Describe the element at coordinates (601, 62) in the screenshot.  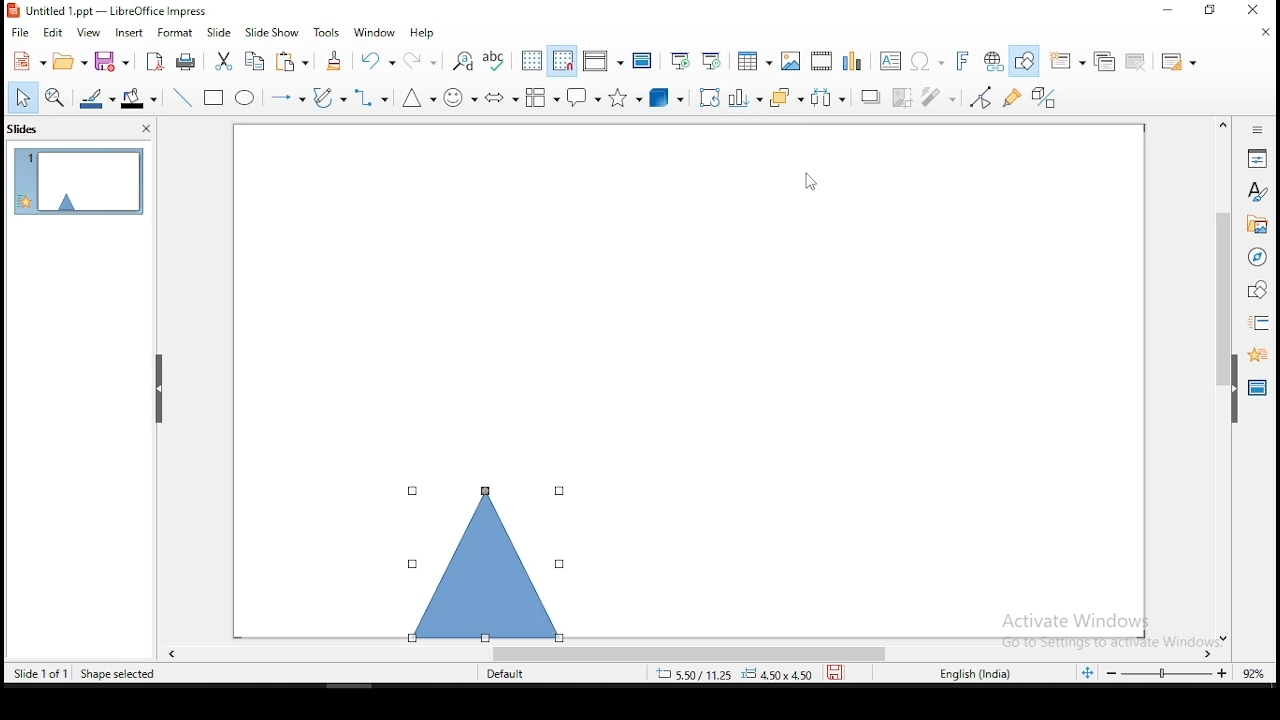
I see `display views` at that location.